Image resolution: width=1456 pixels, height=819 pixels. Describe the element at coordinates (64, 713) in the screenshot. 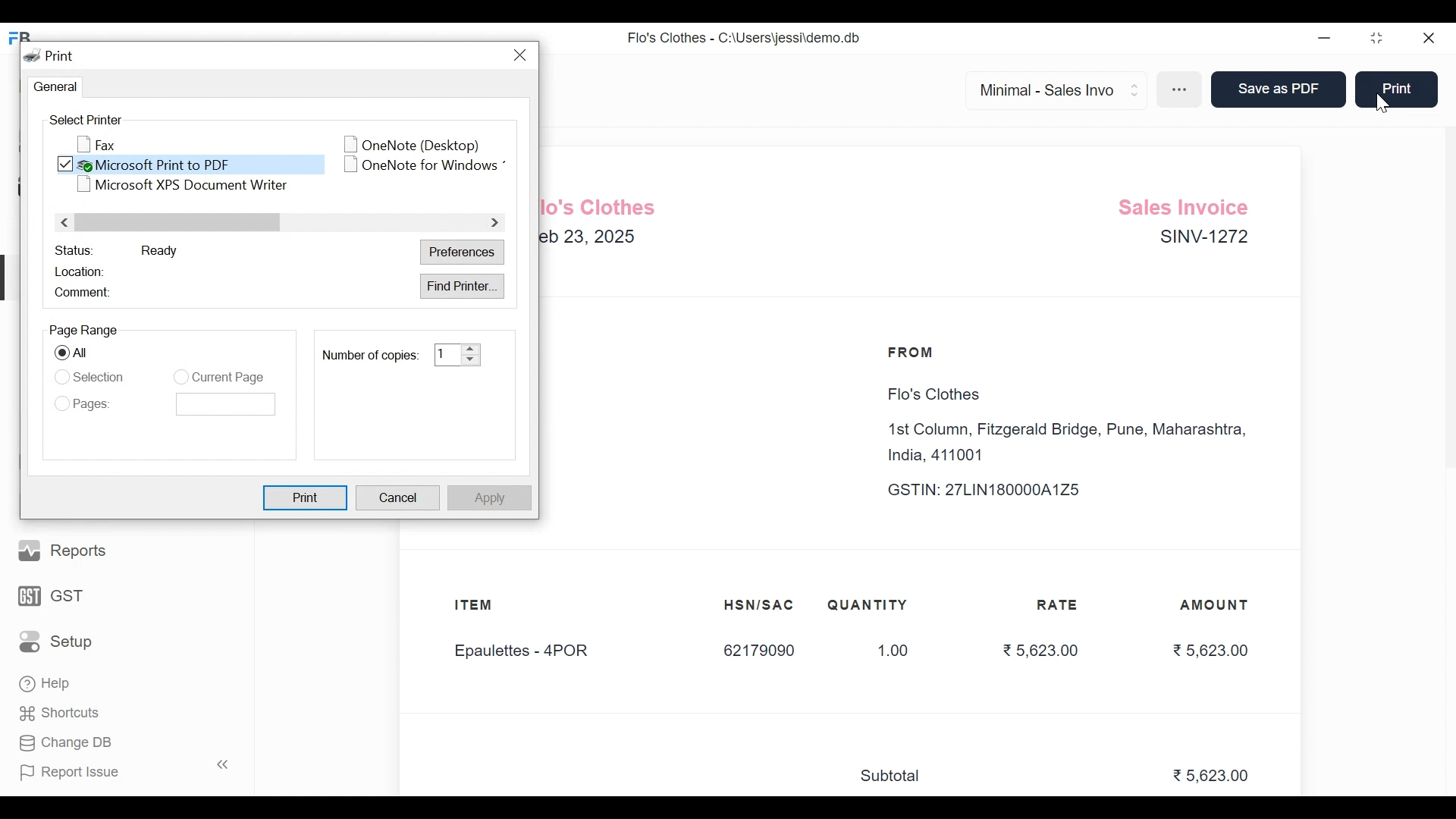

I see `' Shortcuts` at that location.